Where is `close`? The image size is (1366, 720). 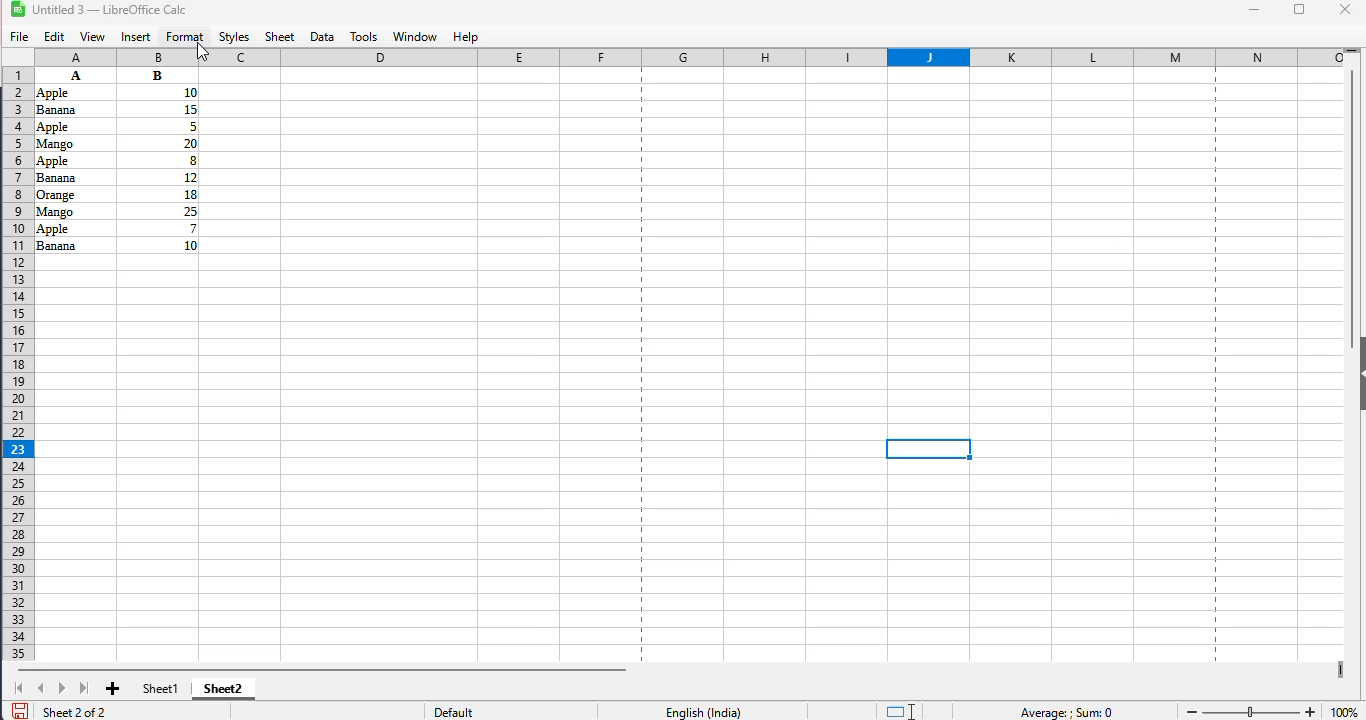
close is located at coordinates (1346, 9).